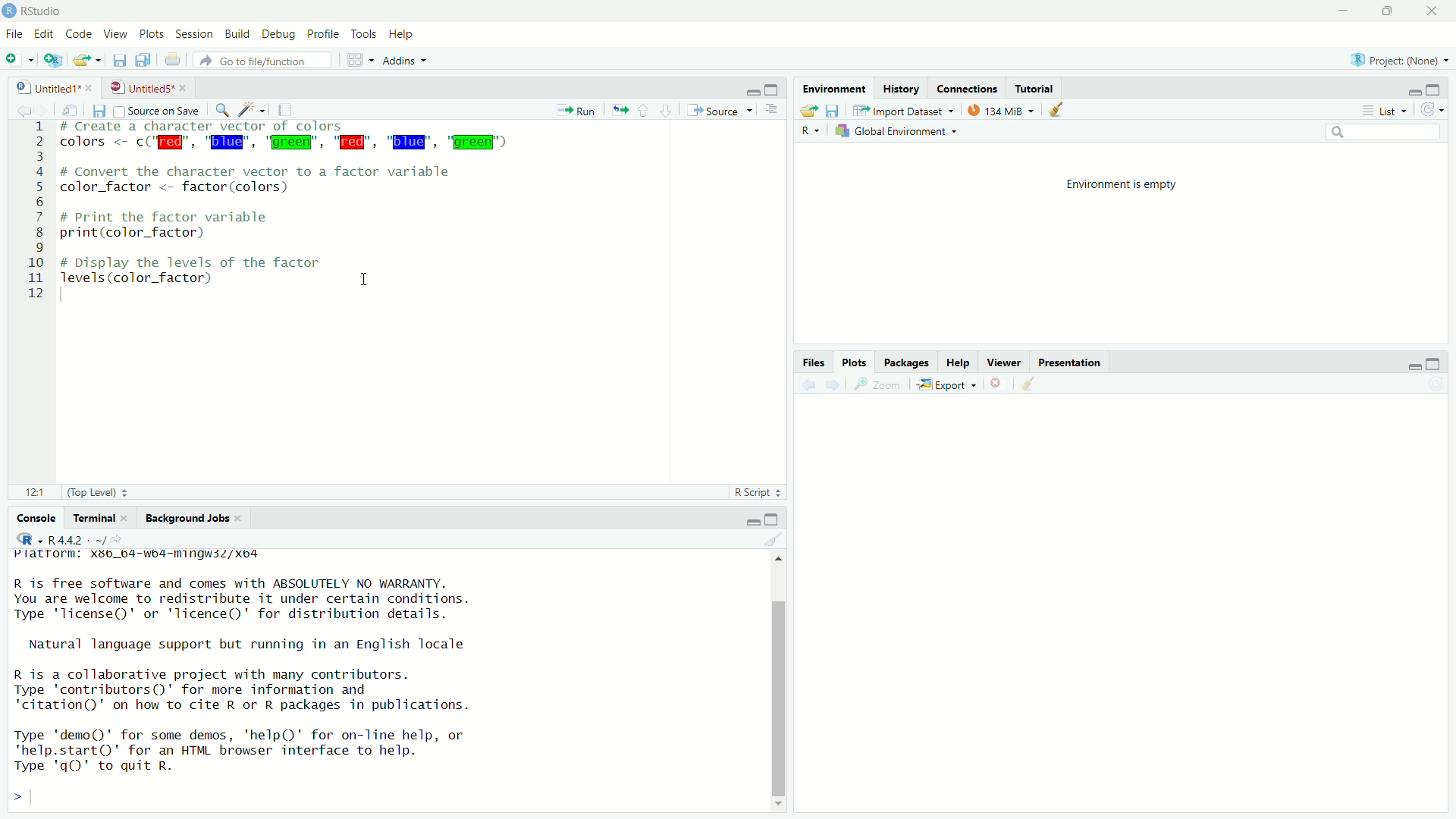  Describe the element at coordinates (945, 385) in the screenshot. I see `export` at that location.